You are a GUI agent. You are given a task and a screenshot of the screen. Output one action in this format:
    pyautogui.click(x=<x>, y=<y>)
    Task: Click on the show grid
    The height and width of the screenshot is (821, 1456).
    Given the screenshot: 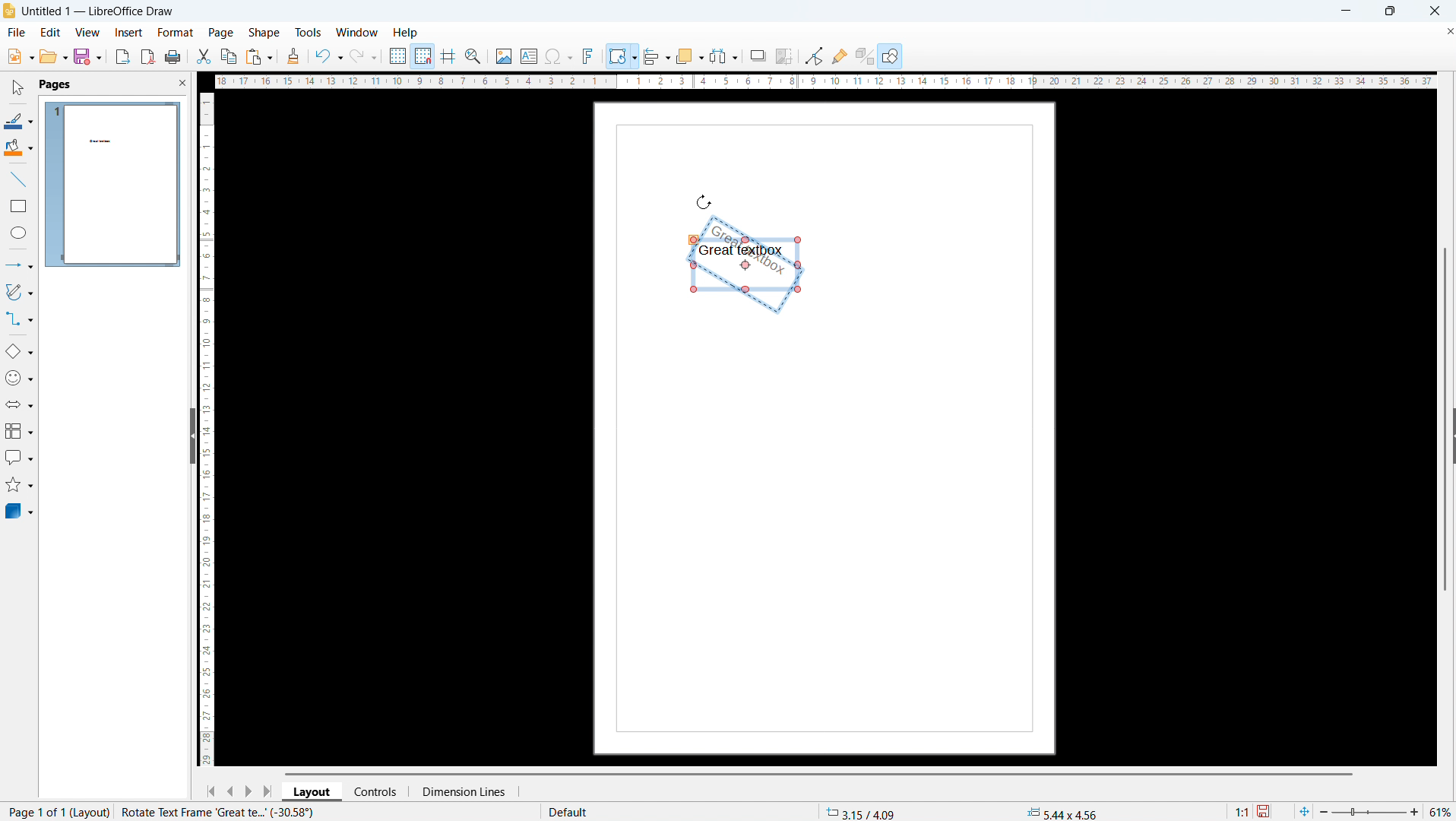 What is the action you would take?
    pyautogui.click(x=397, y=55)
    